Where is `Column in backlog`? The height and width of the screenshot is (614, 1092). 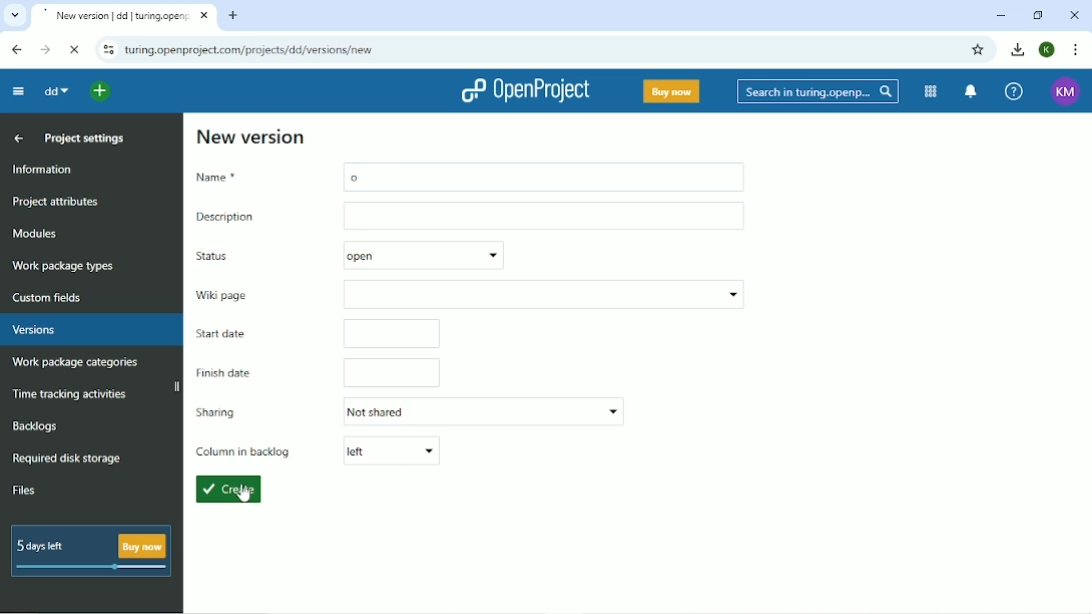 Column in backlog is located at coordinates (318, 451).